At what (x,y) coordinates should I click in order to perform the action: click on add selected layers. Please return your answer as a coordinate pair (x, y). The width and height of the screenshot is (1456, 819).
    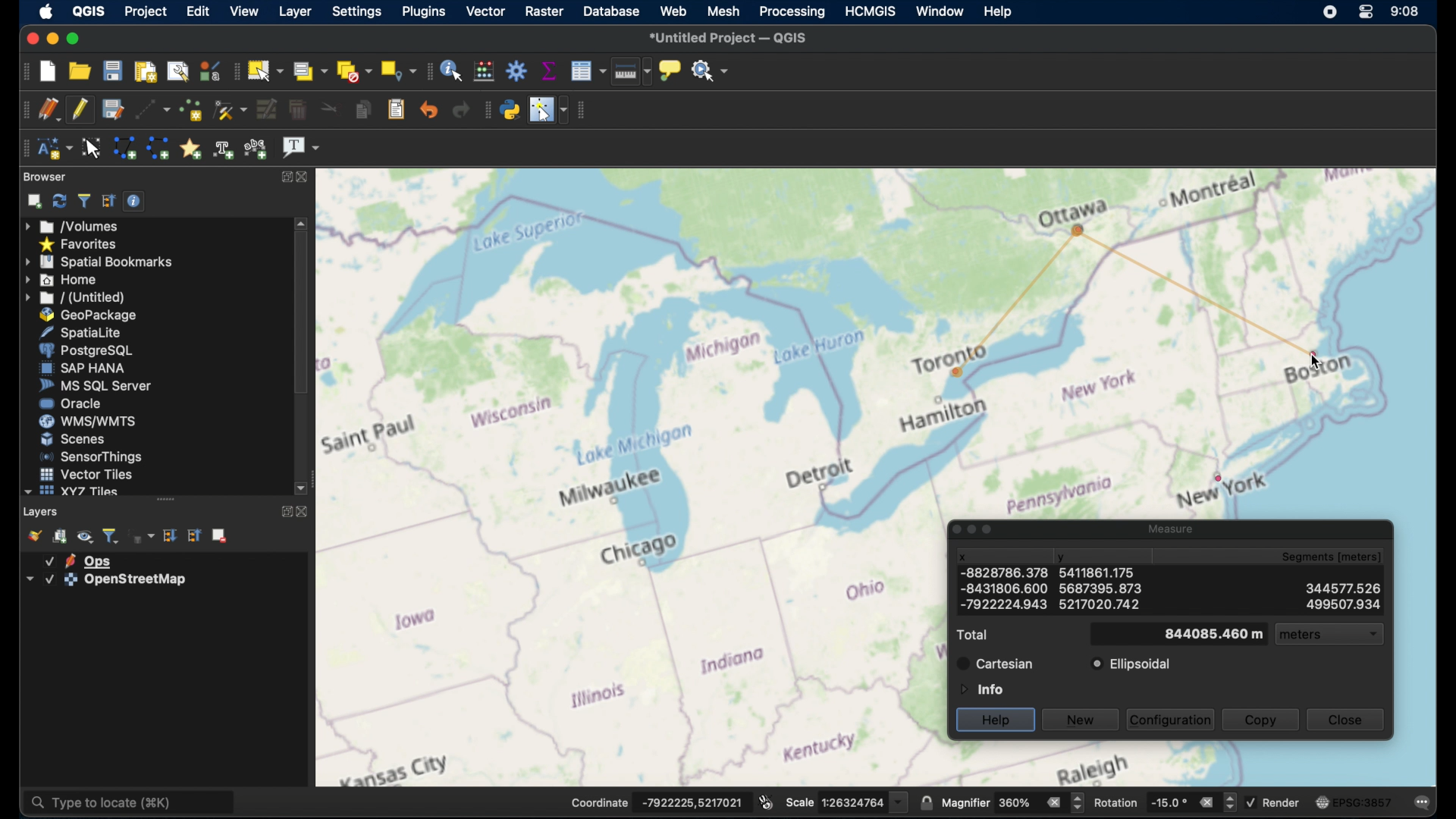
    Looking at the image, I should click on (31, 201).